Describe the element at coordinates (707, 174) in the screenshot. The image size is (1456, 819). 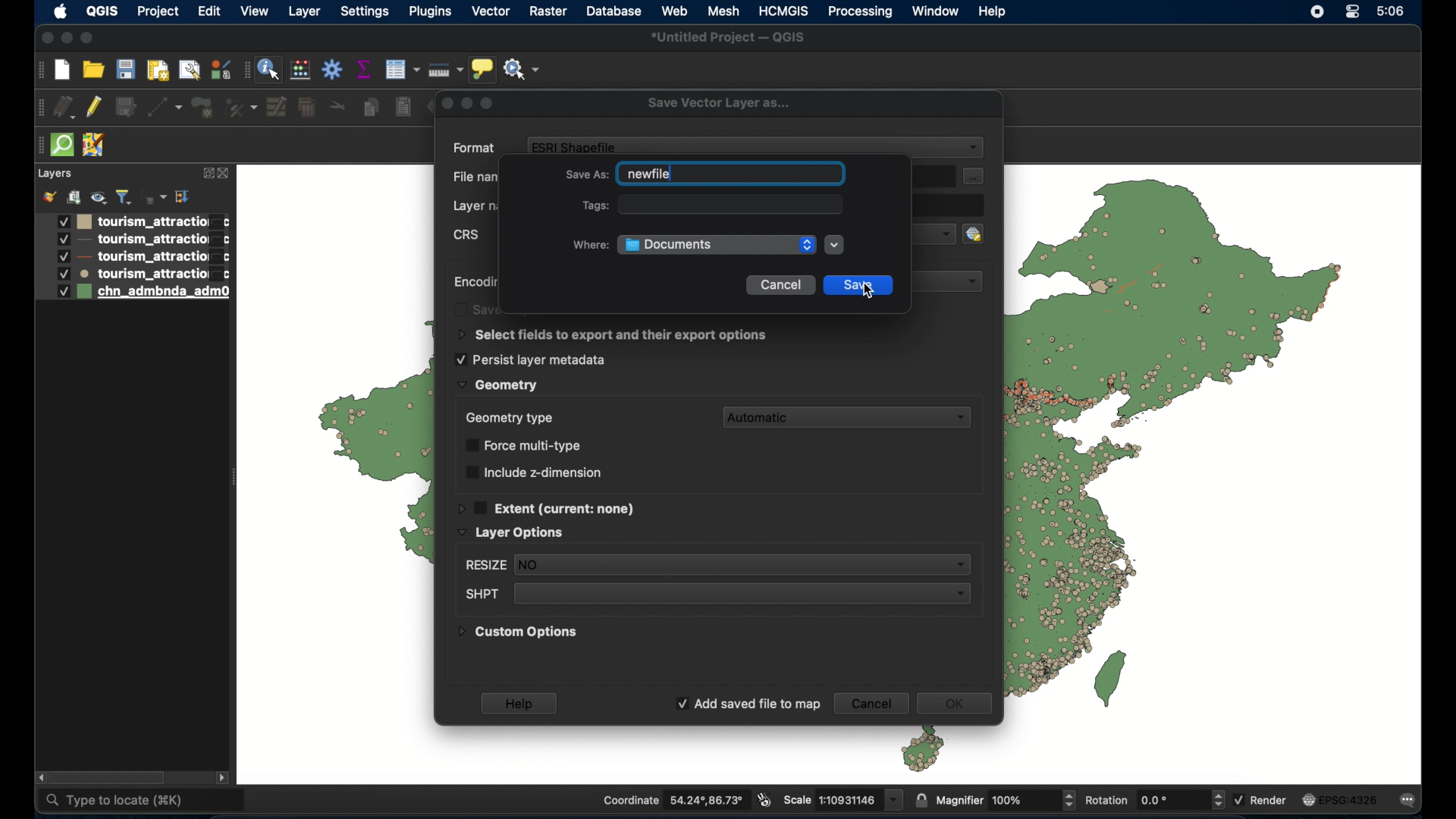
I see `save as  field` at that location.